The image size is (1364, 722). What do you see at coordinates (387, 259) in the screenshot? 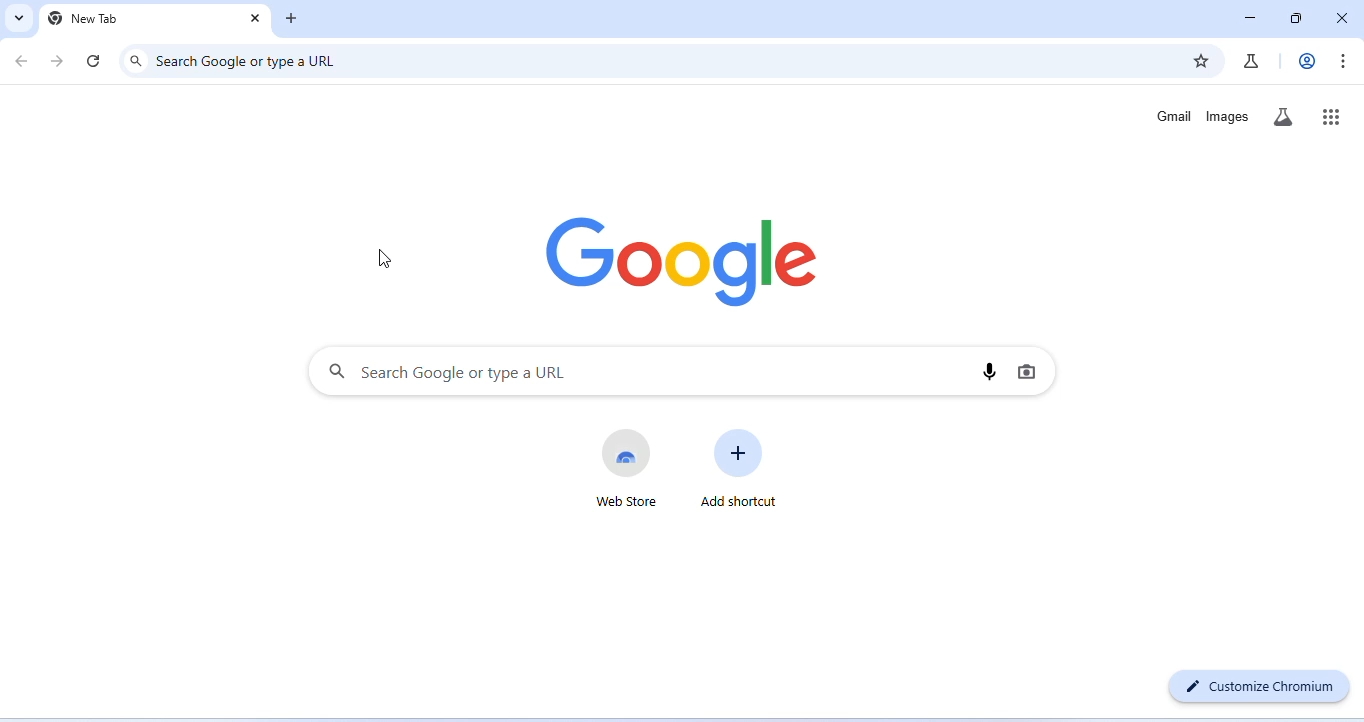
I see `cursor` at bounding box center [387, 259].